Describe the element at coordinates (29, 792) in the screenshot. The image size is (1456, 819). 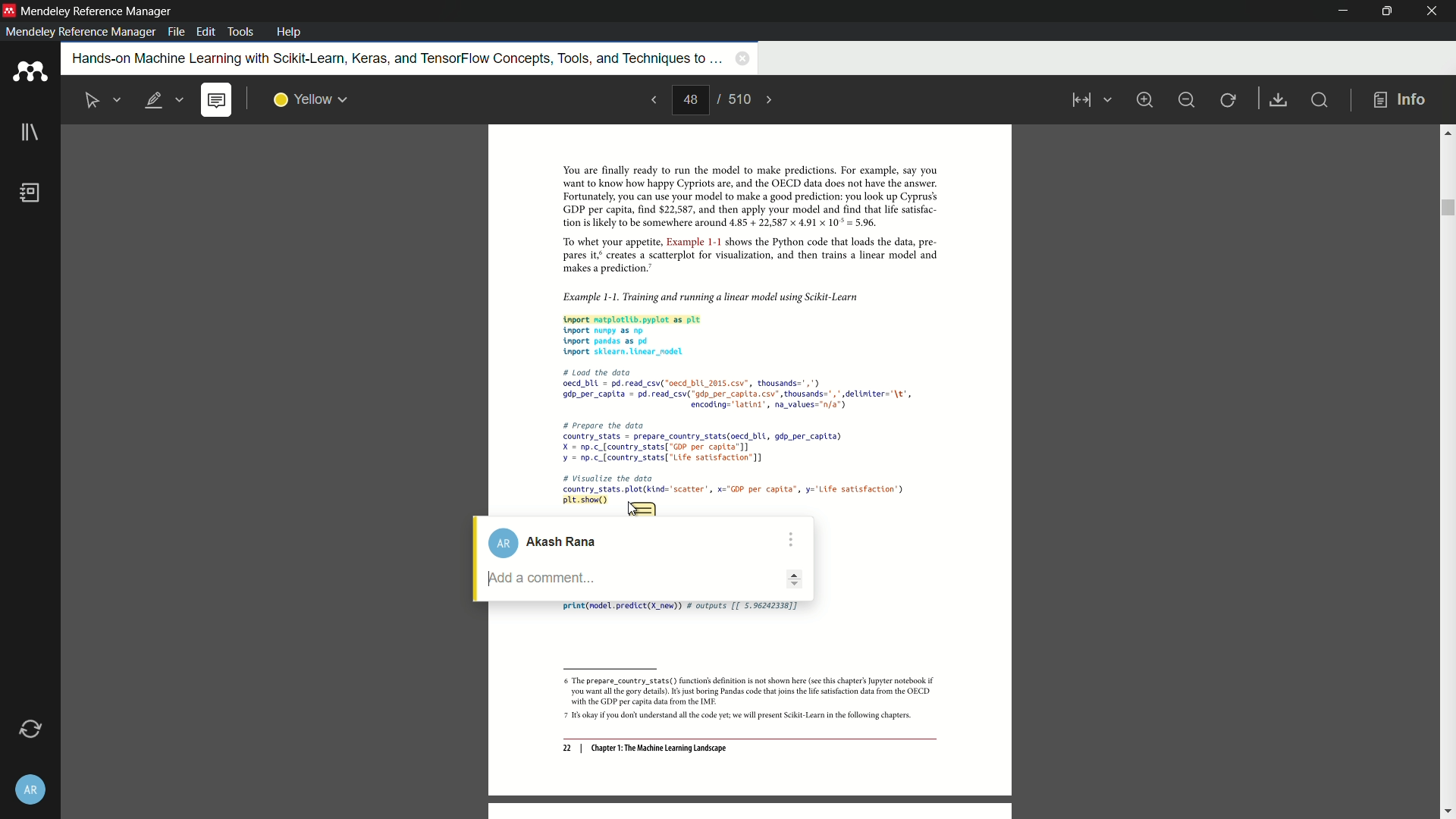
I see `account and settings` at that location.